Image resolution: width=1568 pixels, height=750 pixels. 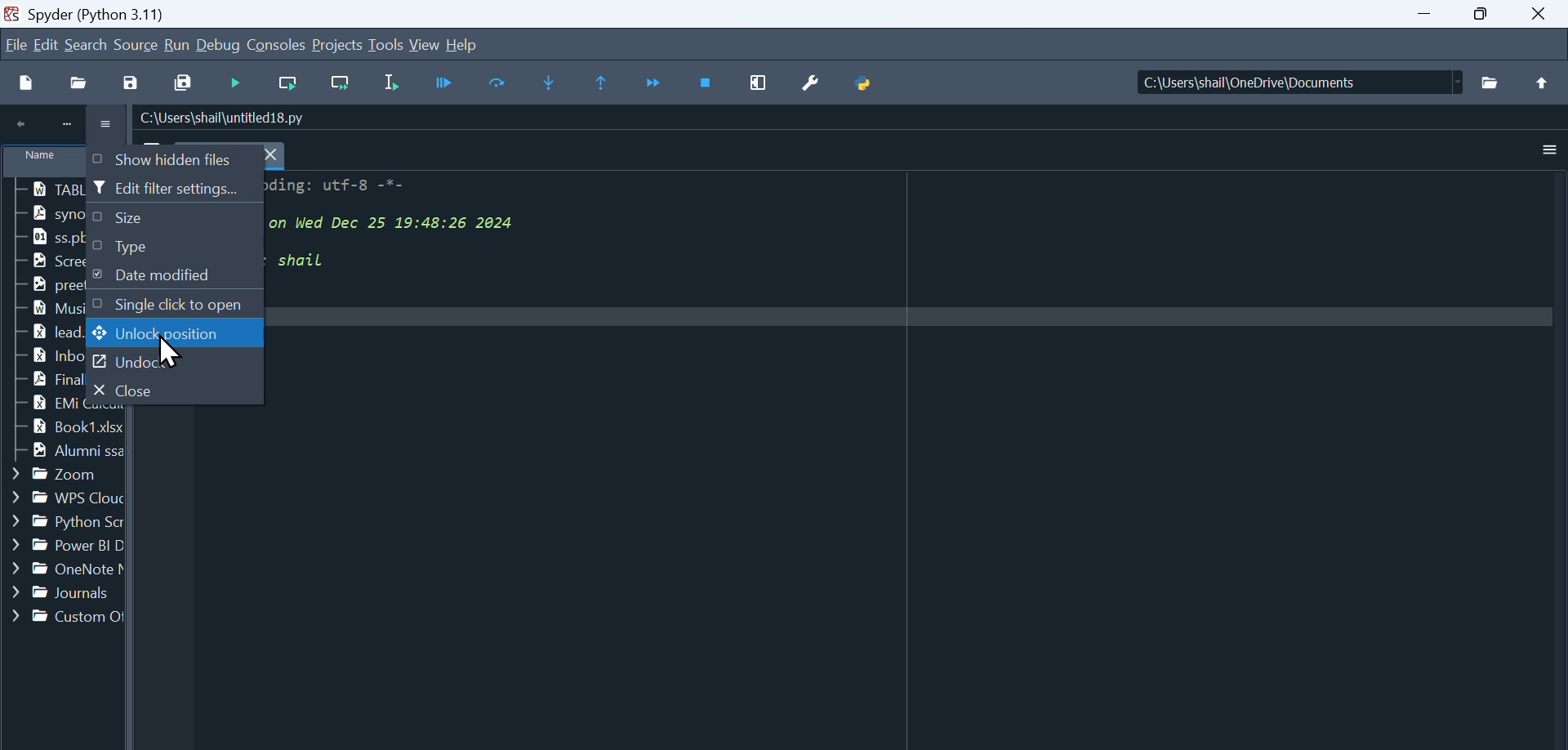 What do you see at coordinates (1490, 83) in the screenshot?
I see `open directory` at bounding box center [1490, 83].